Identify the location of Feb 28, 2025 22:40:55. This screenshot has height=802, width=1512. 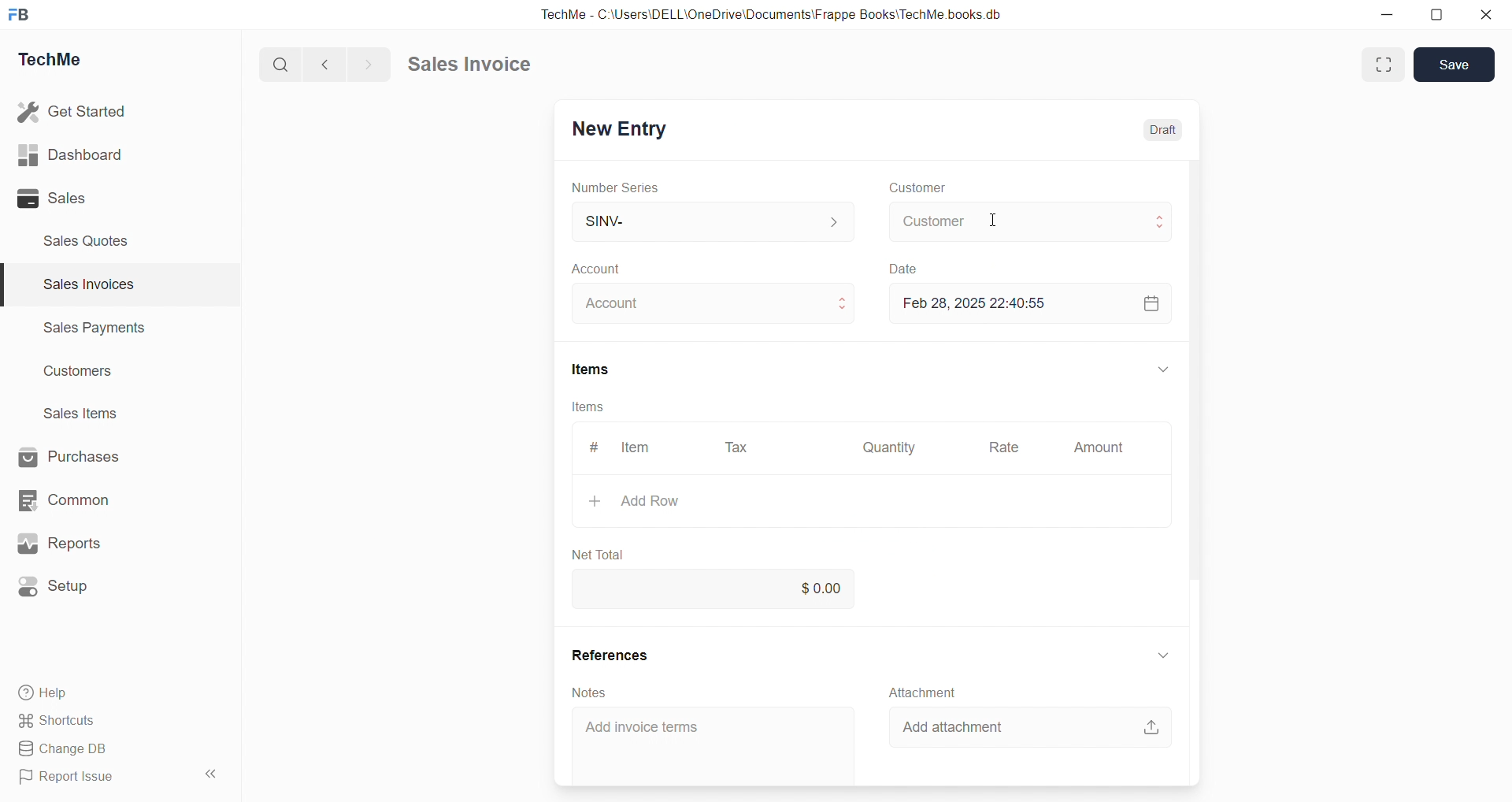
(974, 303).